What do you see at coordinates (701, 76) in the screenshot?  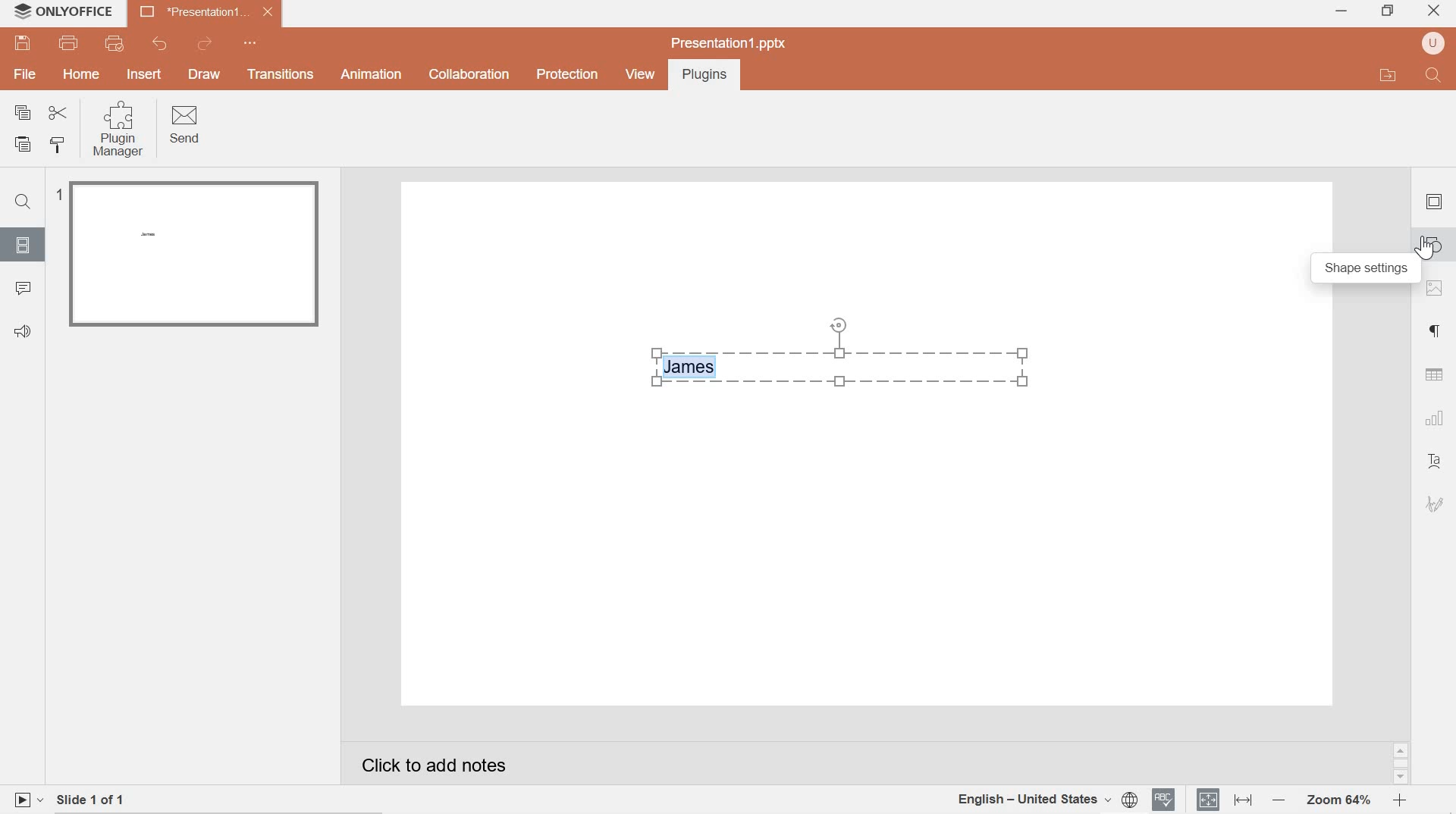 I see `Plugins` at bounding box center [701, 76].